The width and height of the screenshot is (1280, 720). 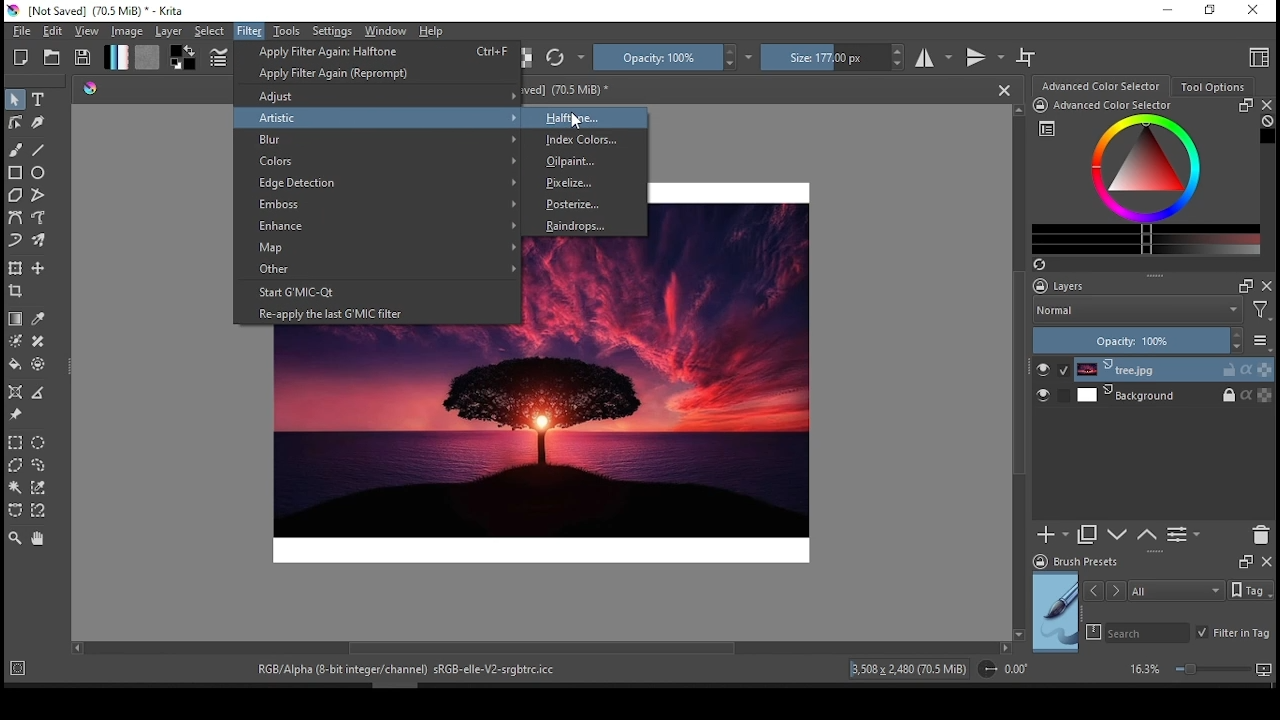 What do you see at coordinates (15, 487) in the screenshot?
I see `contiguous selection tool` at bounding box center [15, 487].